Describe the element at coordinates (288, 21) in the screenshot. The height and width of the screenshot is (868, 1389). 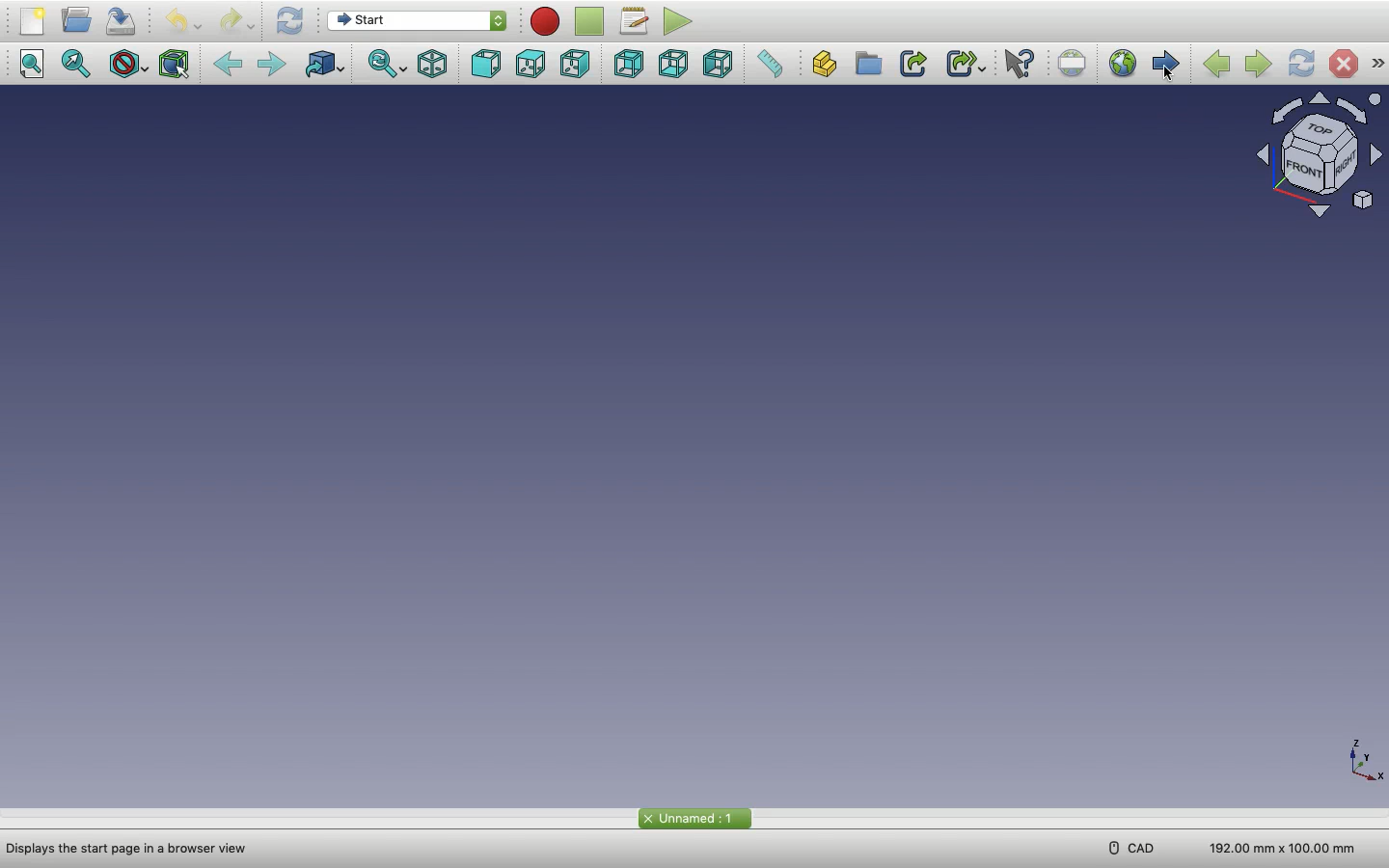
I see `Refresh` at that location.